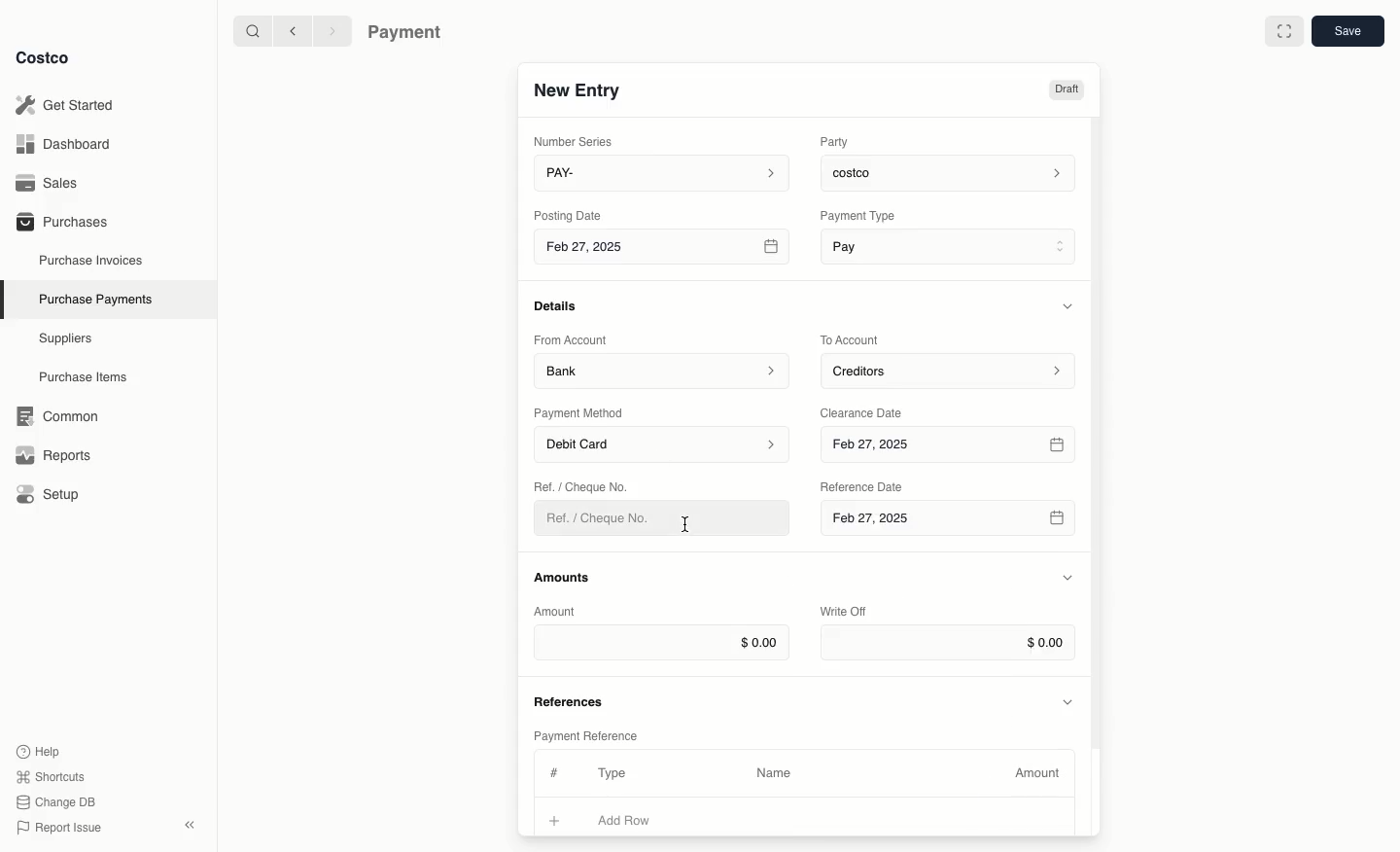  What do you see at coordinates (561, 305) in the screenshot?
I see `Details` at bounding box center [561, 305].